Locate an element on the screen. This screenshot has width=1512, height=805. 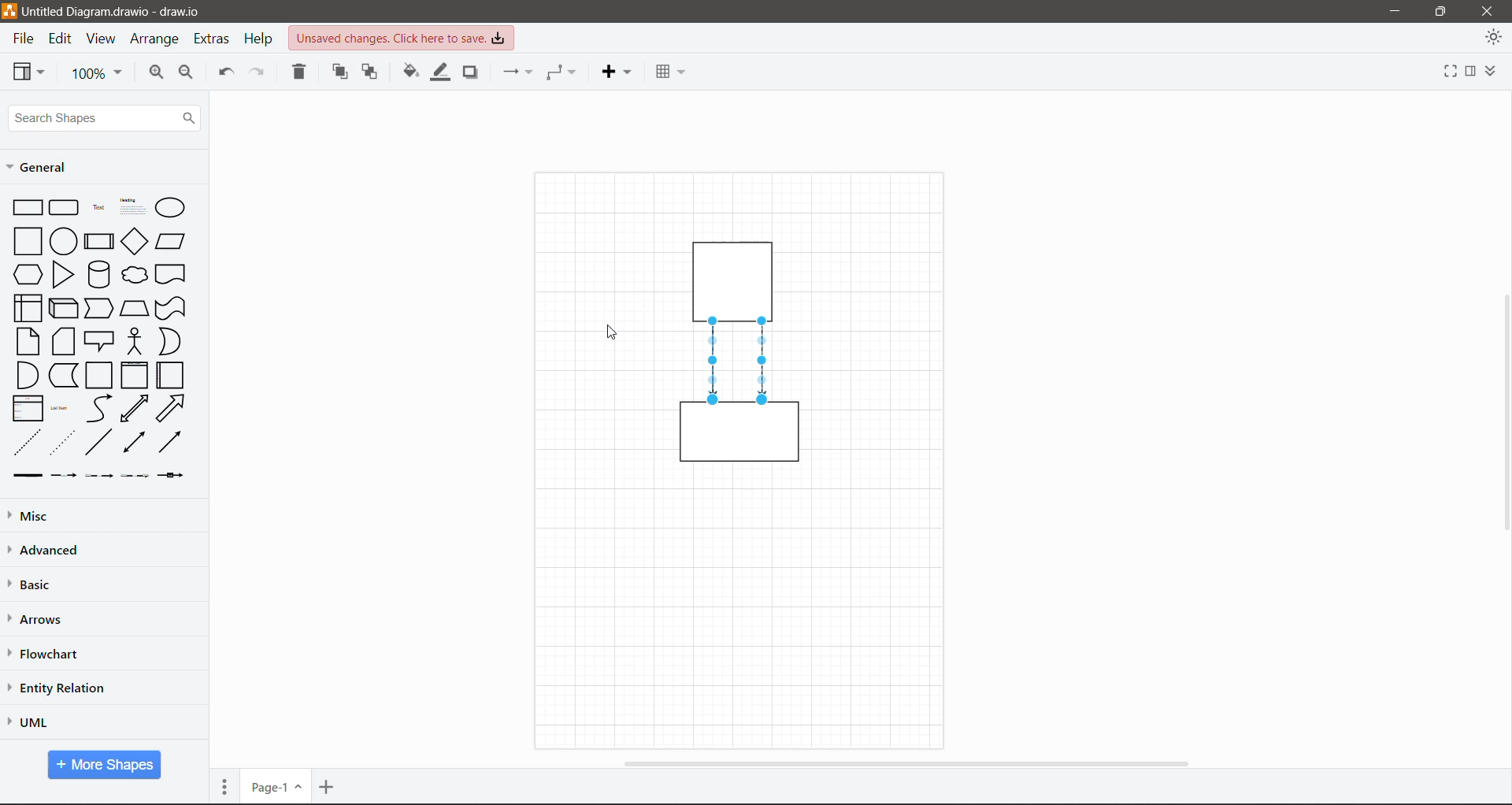
connector with 3 labels is located at coordinates (135, 476).